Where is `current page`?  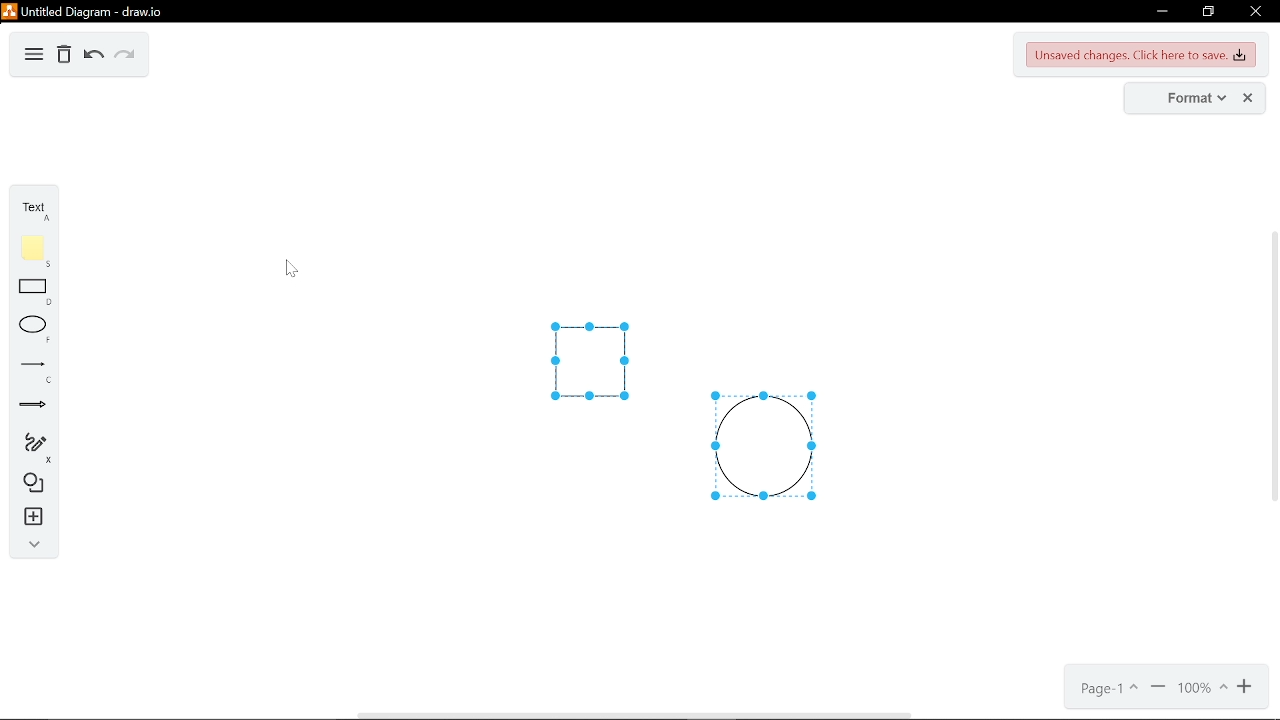 current page is located at coordinates (1107, 689).